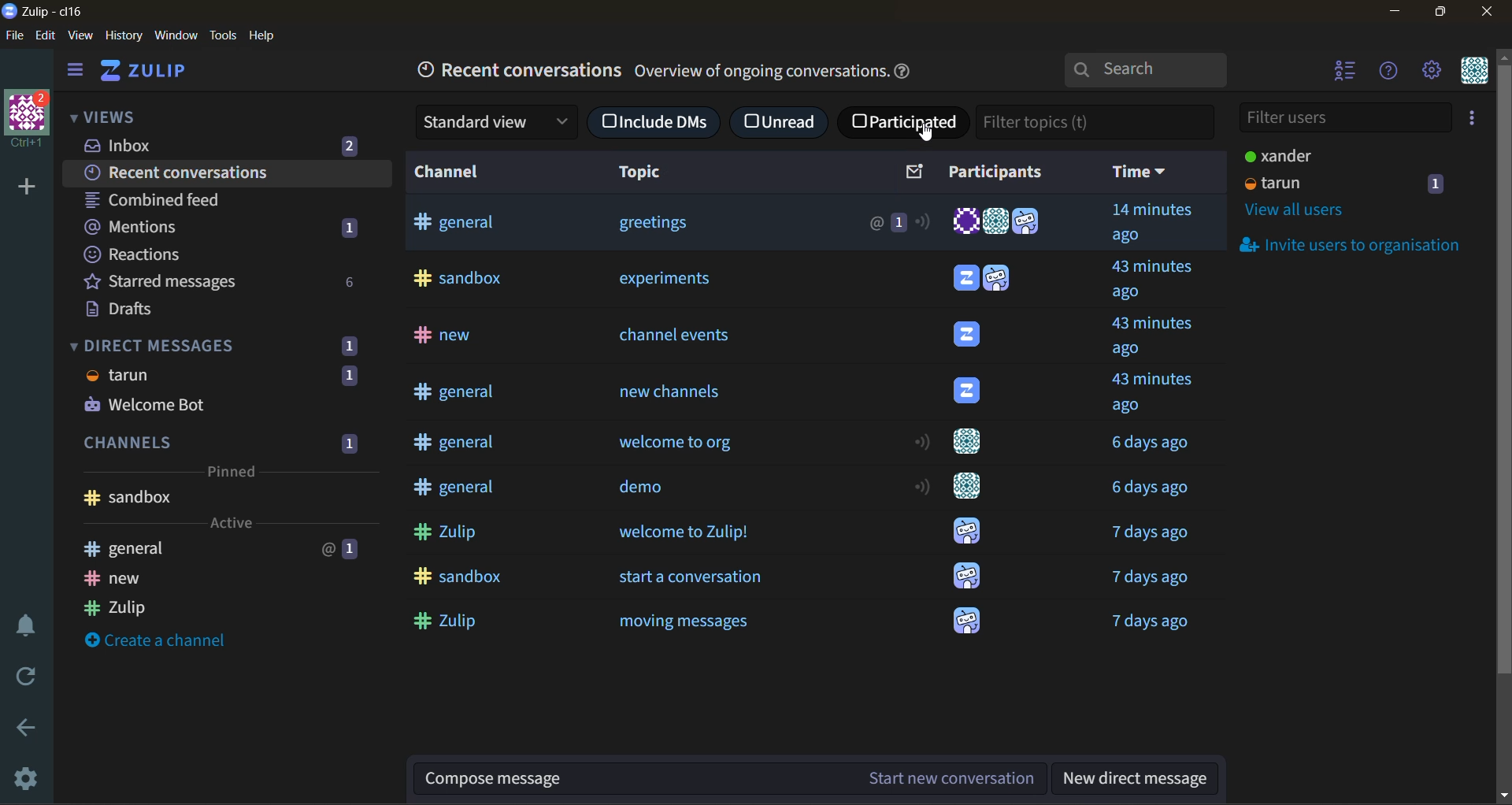 Image resolution: width=1512 pixels, height=805 pixels. I want to click on demo, so click(651, 484).